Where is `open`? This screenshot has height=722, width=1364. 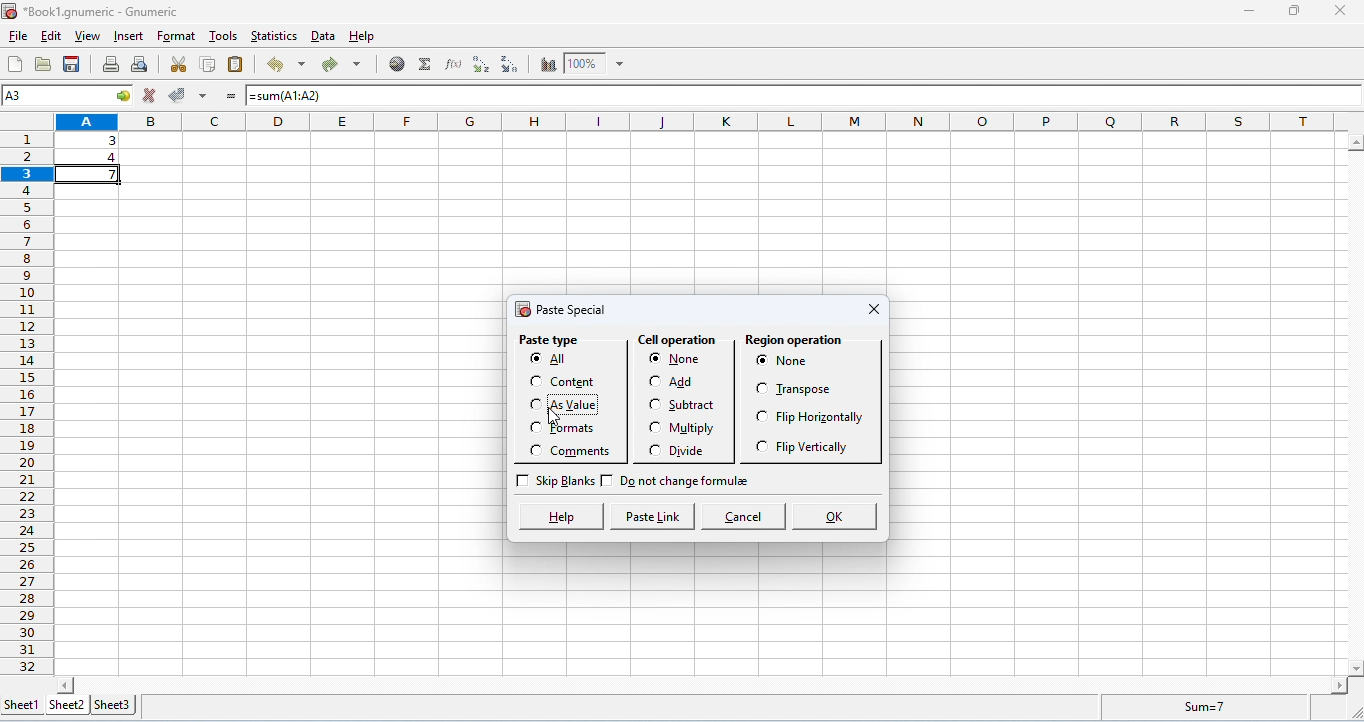 open is located at coordinates (43, 64).